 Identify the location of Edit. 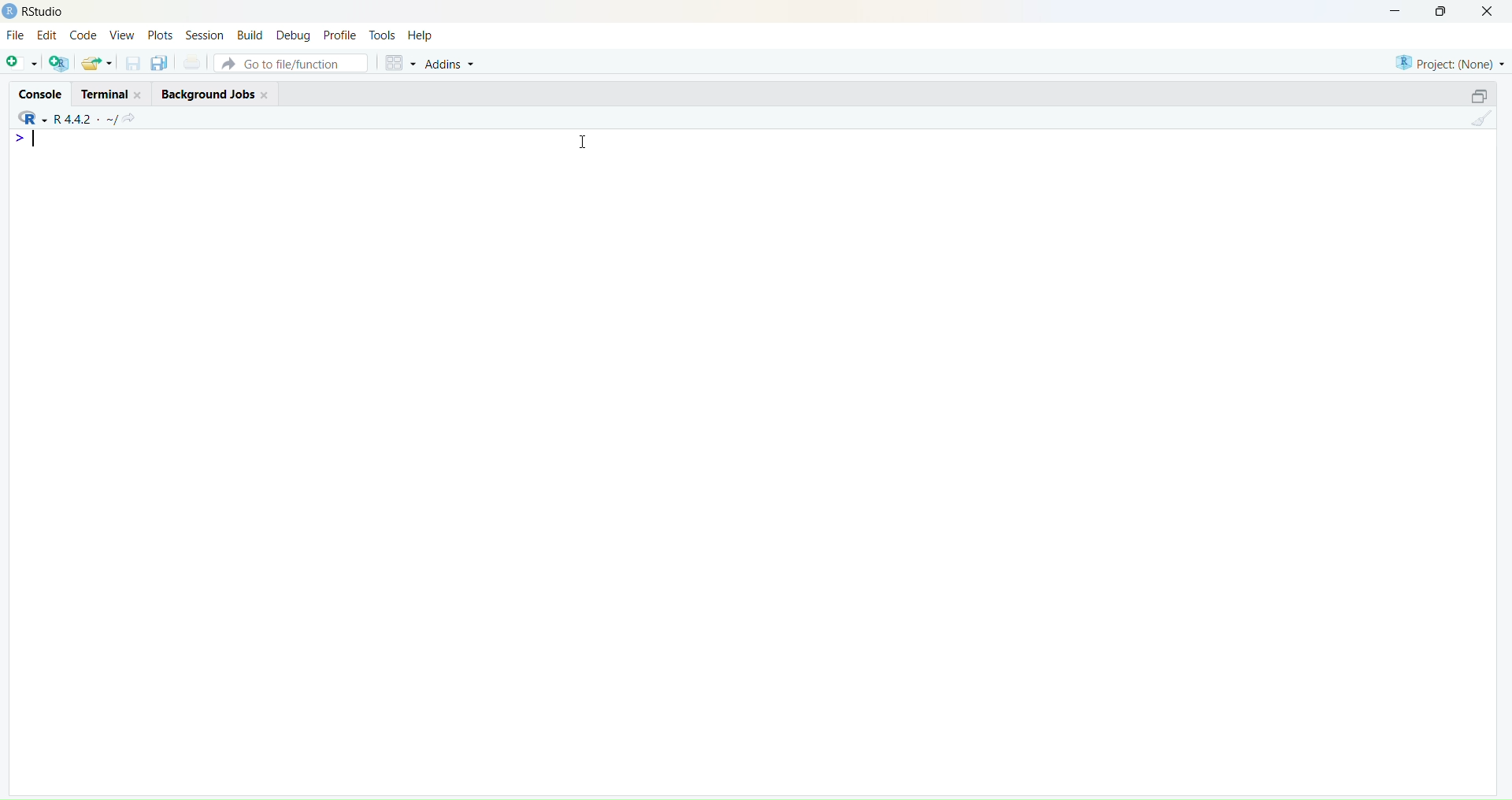
(47, 35).